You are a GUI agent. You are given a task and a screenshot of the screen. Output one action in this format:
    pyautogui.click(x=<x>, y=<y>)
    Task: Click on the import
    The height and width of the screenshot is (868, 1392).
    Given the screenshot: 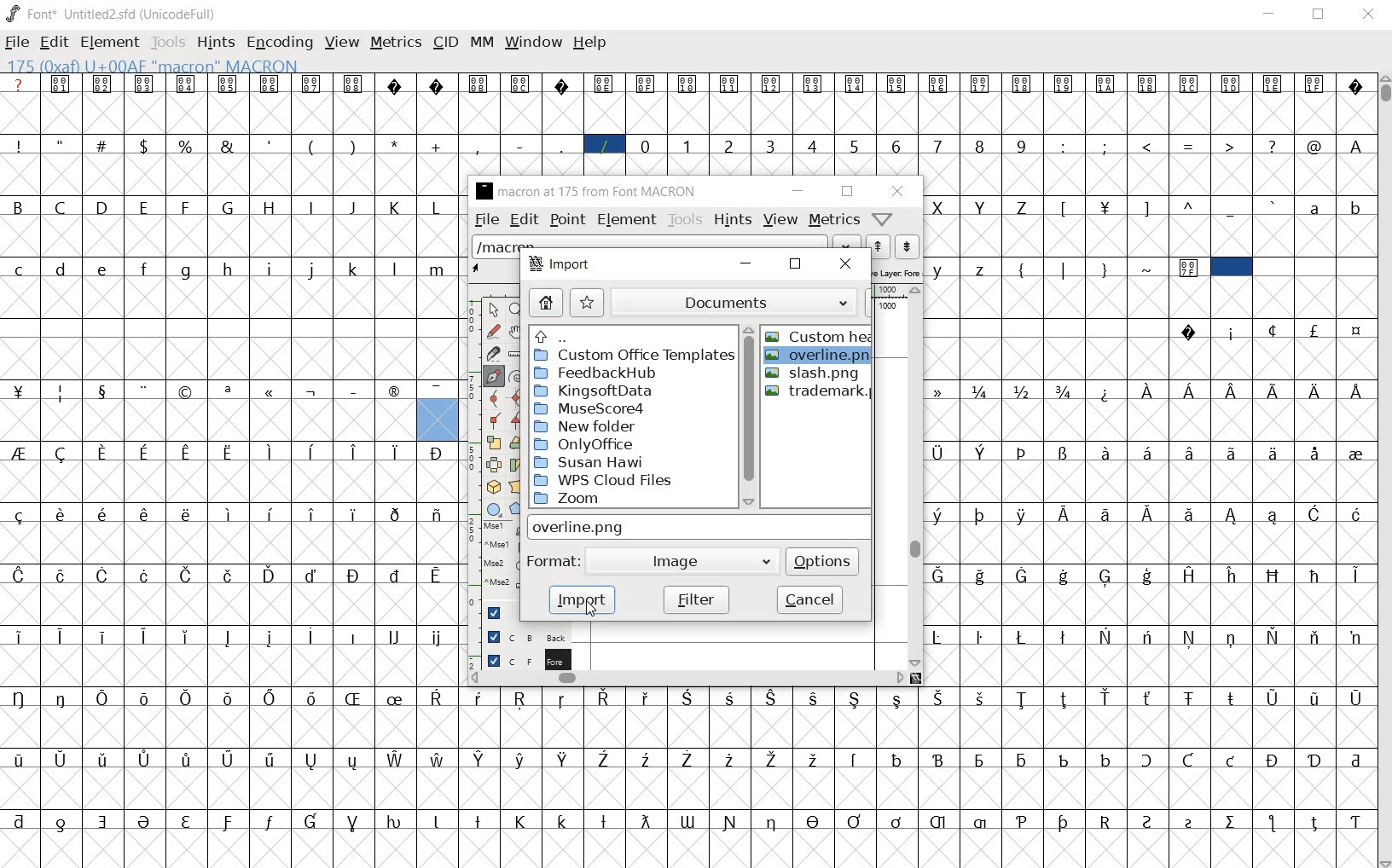 What is the action you would take?
    pyautogui.click(x=583, y=599)
    